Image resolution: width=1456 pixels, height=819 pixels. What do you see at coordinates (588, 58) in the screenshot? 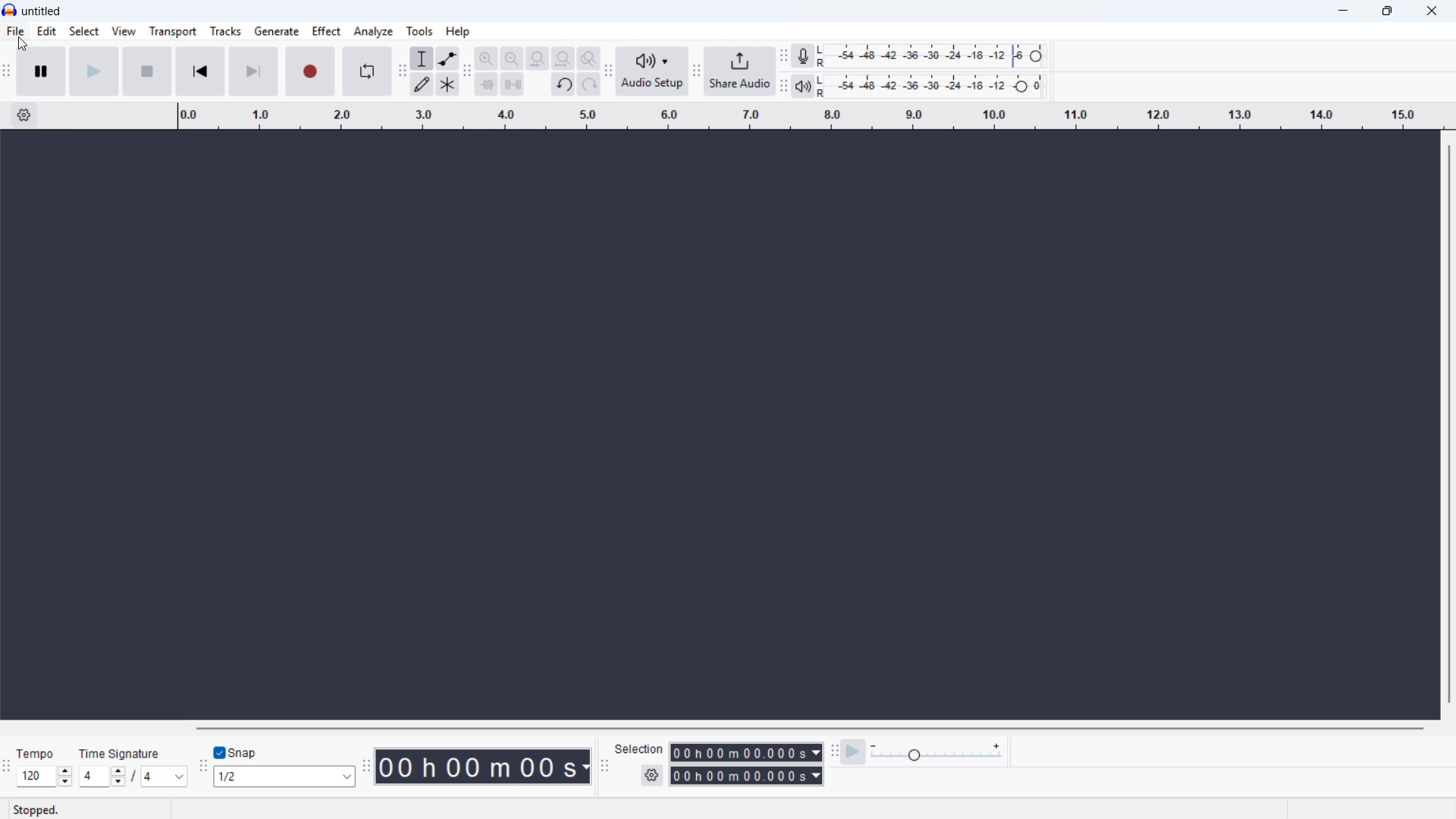
I see `Toggle zoom ` at bounding box center [588, 58].